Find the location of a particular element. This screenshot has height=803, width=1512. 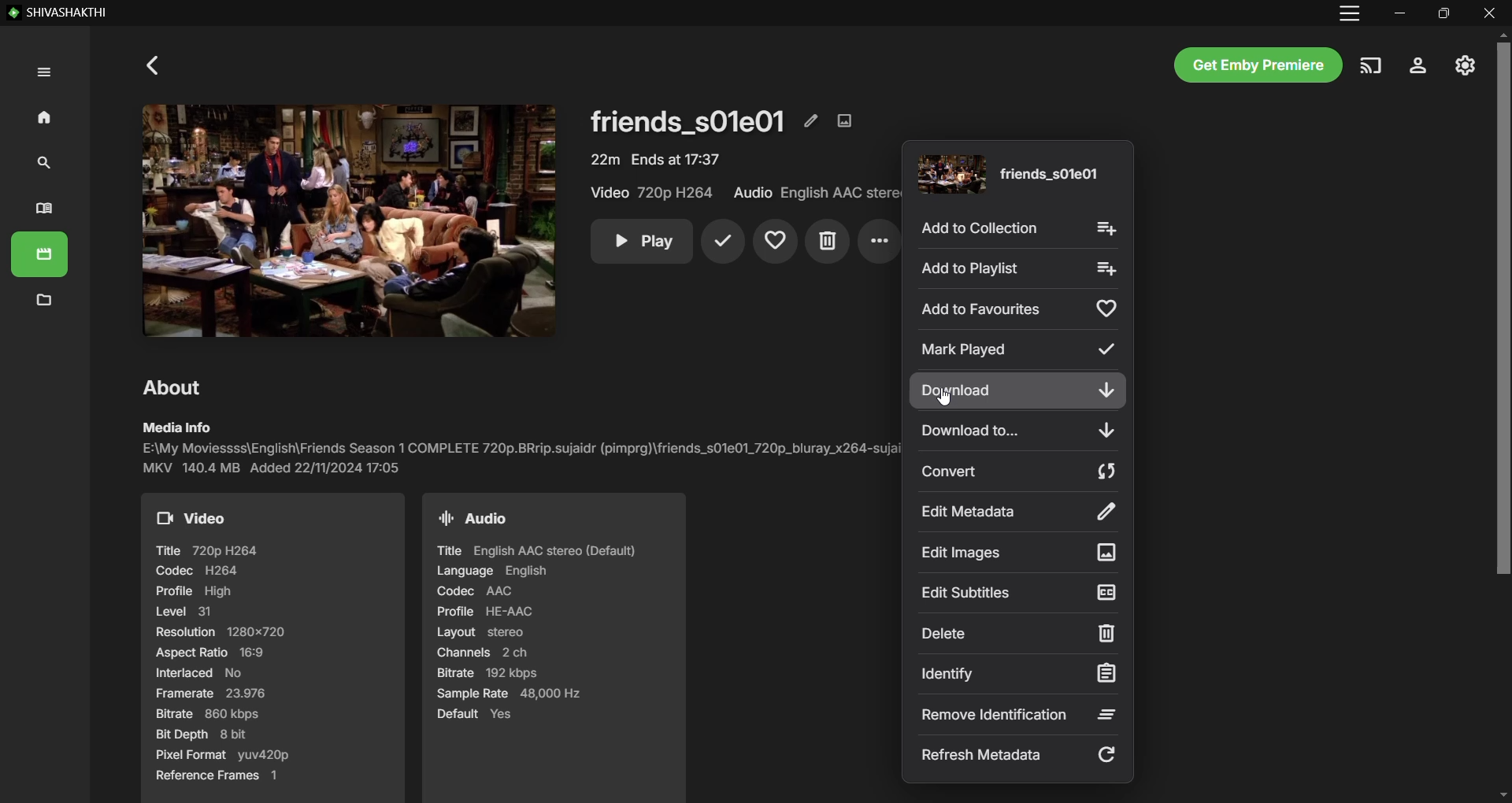

Refresh Metadata is located at coordinates (1019, 757).